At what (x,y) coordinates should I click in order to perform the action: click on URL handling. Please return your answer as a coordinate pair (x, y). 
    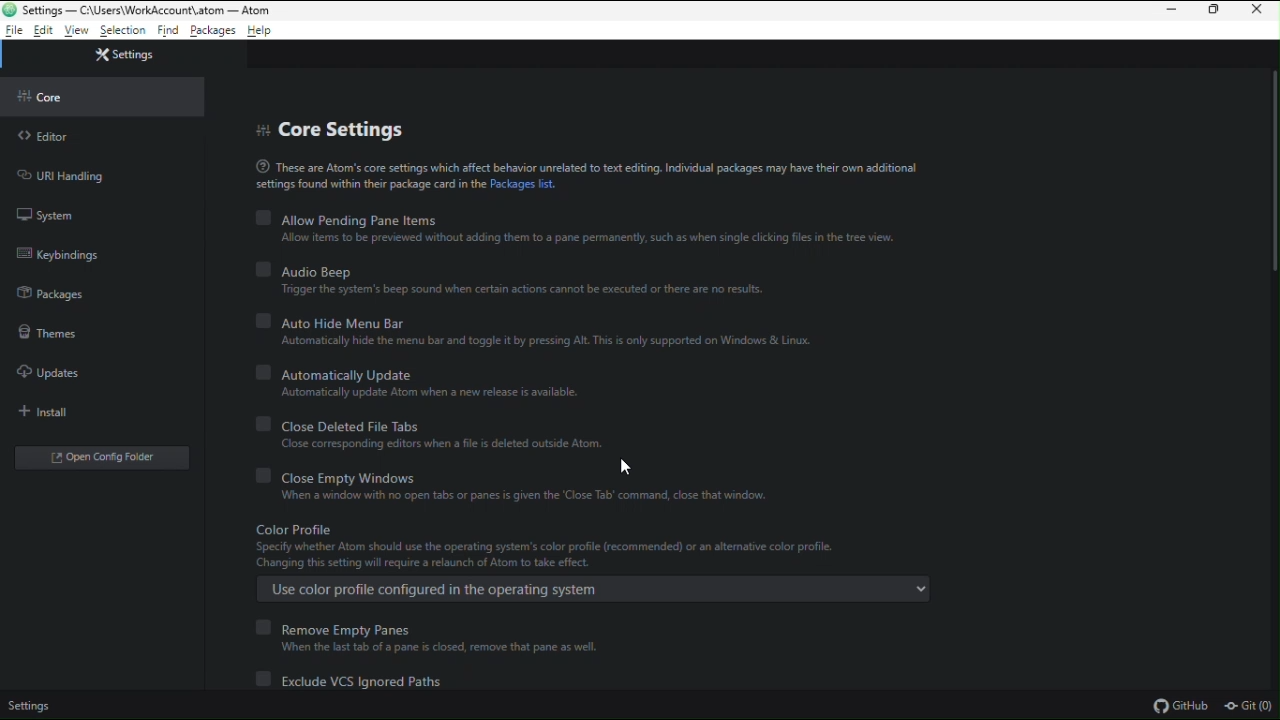
    Looking at the image, I should click on (60, 175).